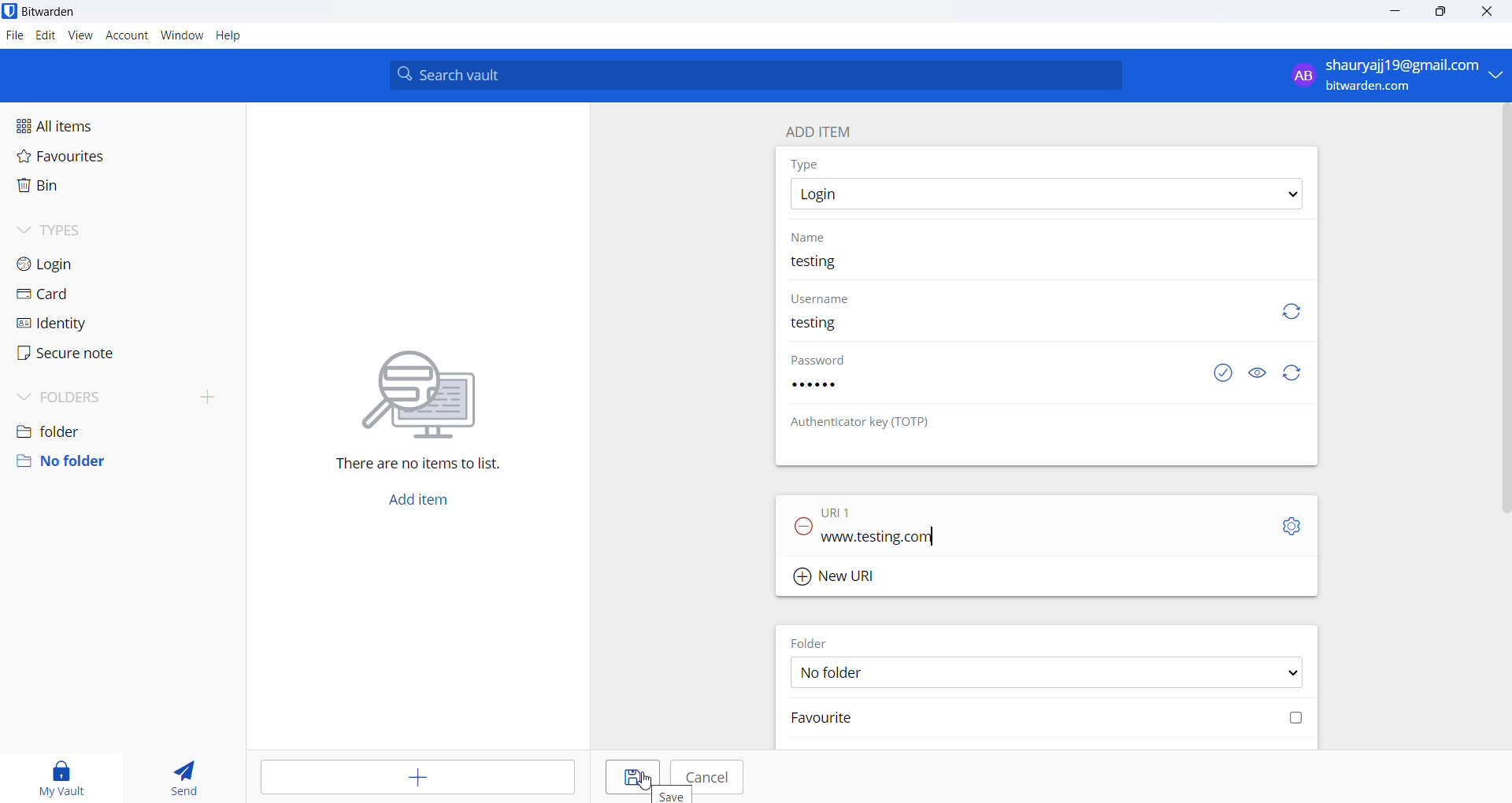 This screenshot has height=803, width=1512. What do you see at coordinates (806, 164) in the screenshot?
I see `type heading` at bounding box center [806, 164].